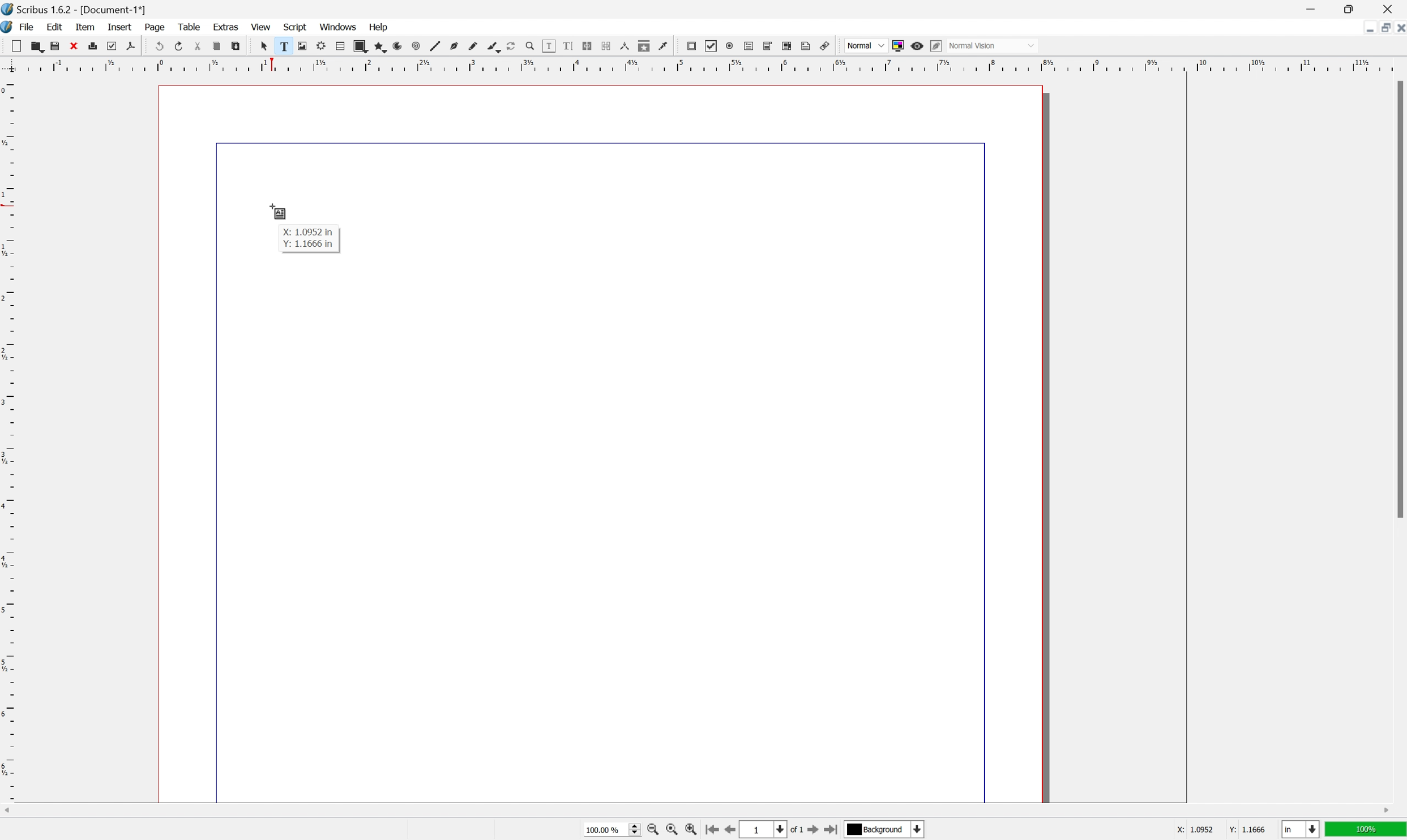  I want to click on pdf push button, so click(691, 46).